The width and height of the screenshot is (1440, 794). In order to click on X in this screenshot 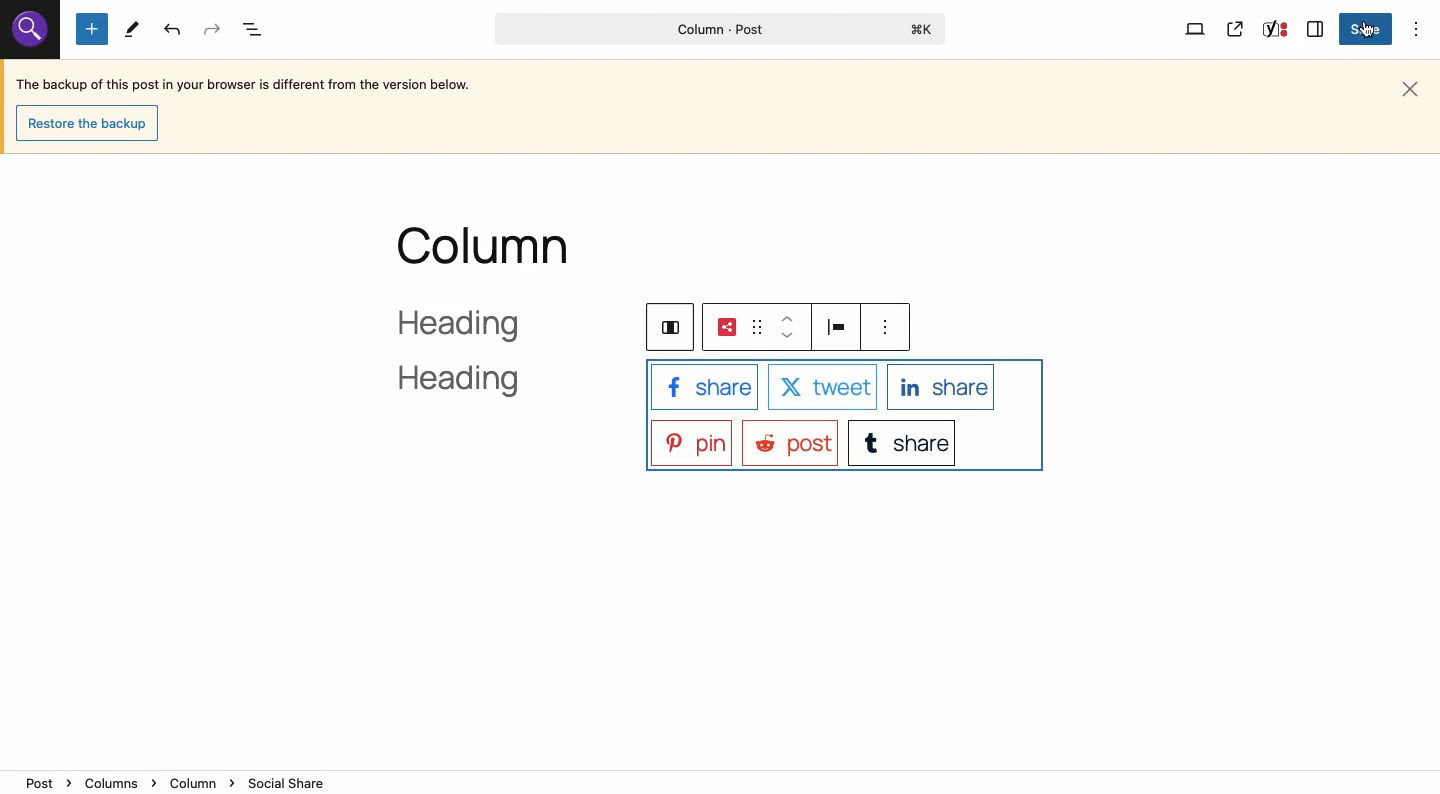, I will do `click(821, 388)`.